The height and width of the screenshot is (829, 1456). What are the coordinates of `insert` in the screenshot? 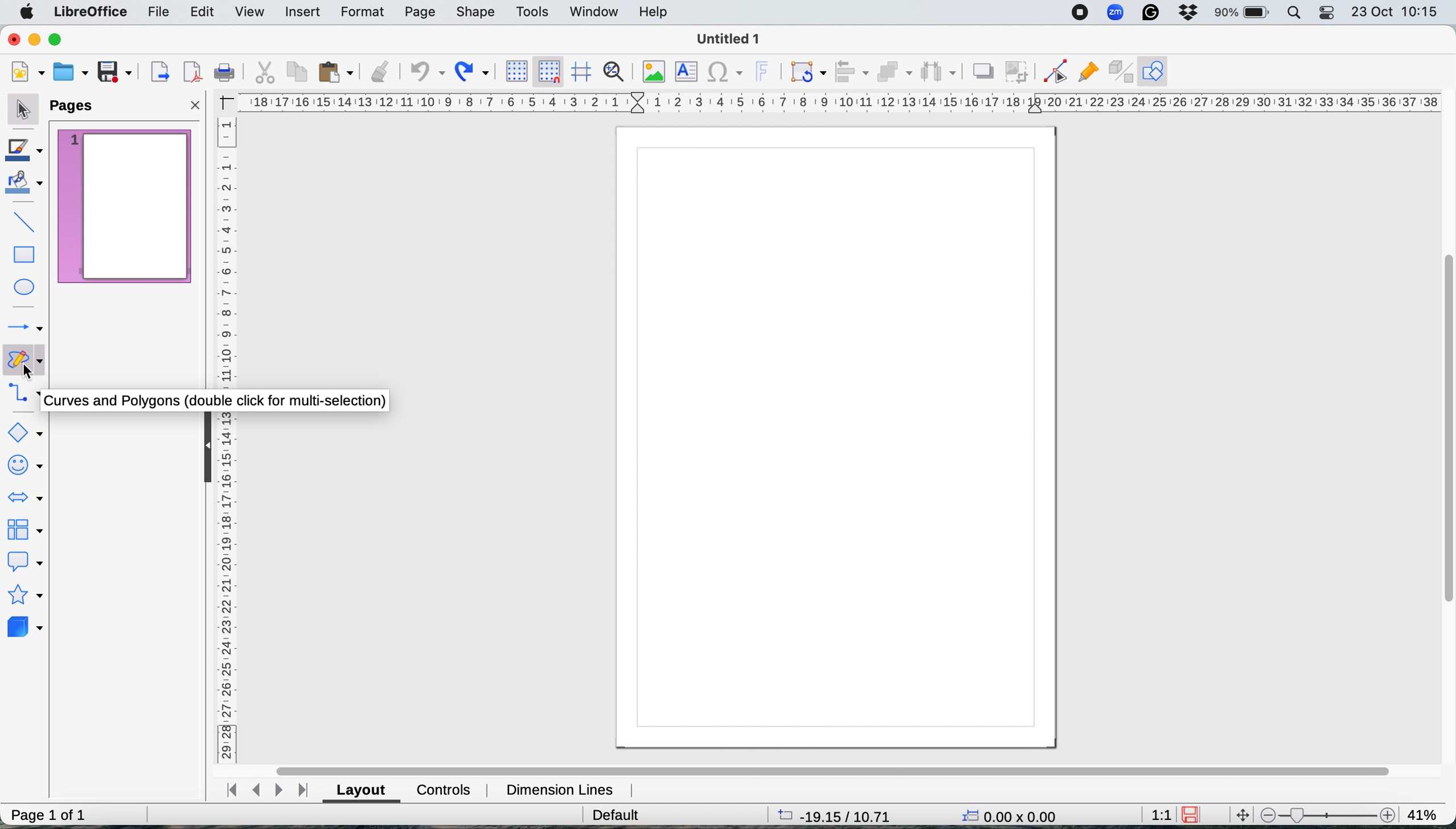 It's located at (304, 13).